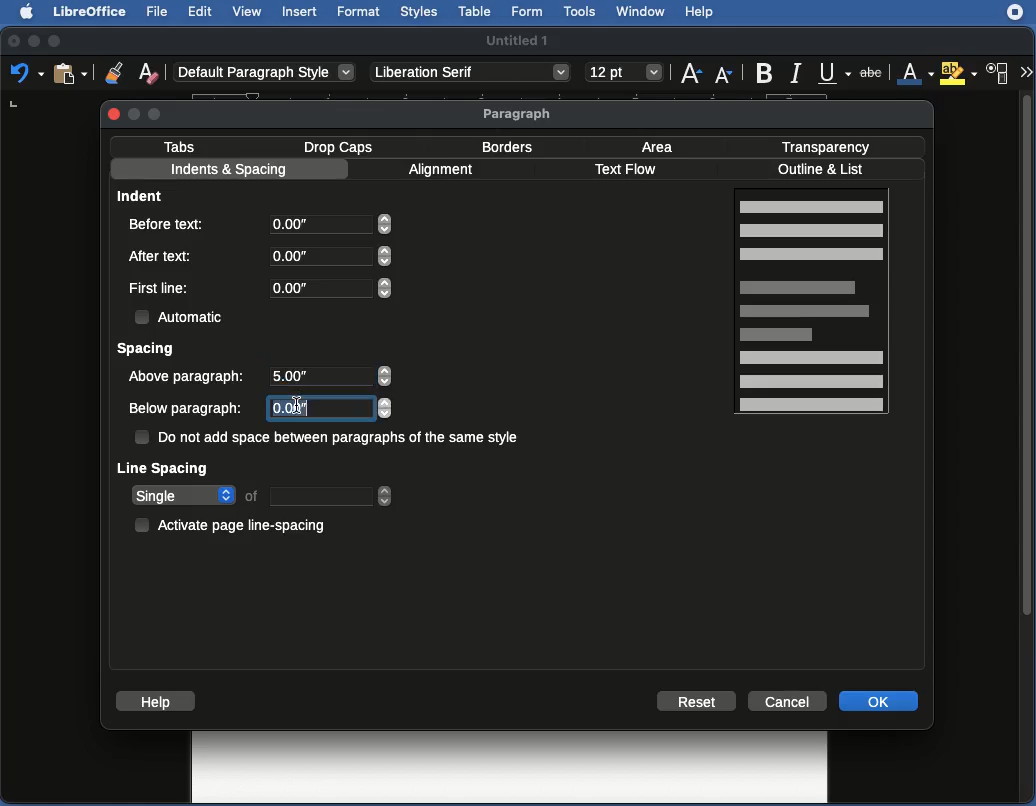 The height and width of the screenshot is (806, 1036). I want to click on Window, so click(640, 12).